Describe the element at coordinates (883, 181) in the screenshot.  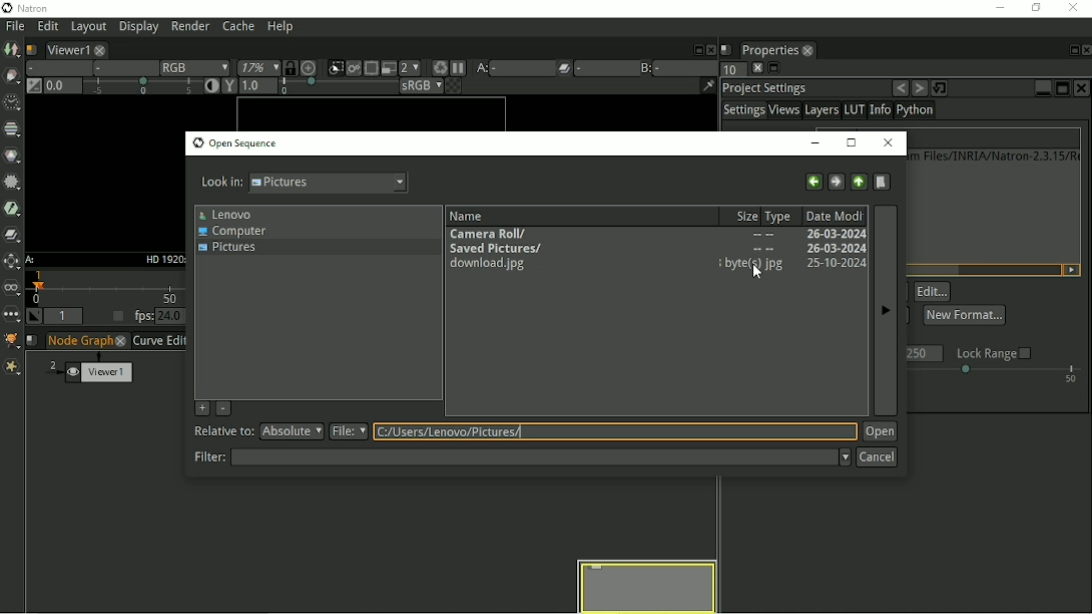
I see `Create a new directory here` at that location.